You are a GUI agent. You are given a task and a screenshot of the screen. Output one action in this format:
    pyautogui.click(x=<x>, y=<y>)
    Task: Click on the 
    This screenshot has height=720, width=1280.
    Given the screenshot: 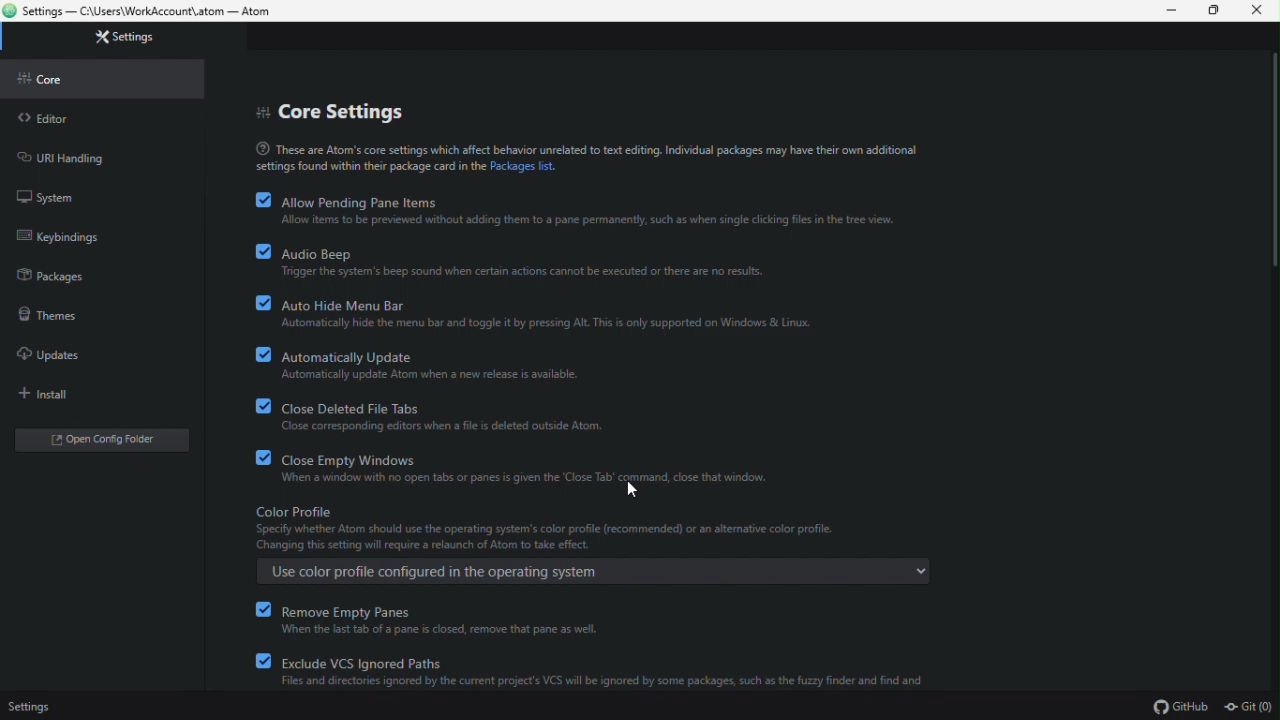 What is the action you would take?
    pyautogui.click(x=637, y=489)
    